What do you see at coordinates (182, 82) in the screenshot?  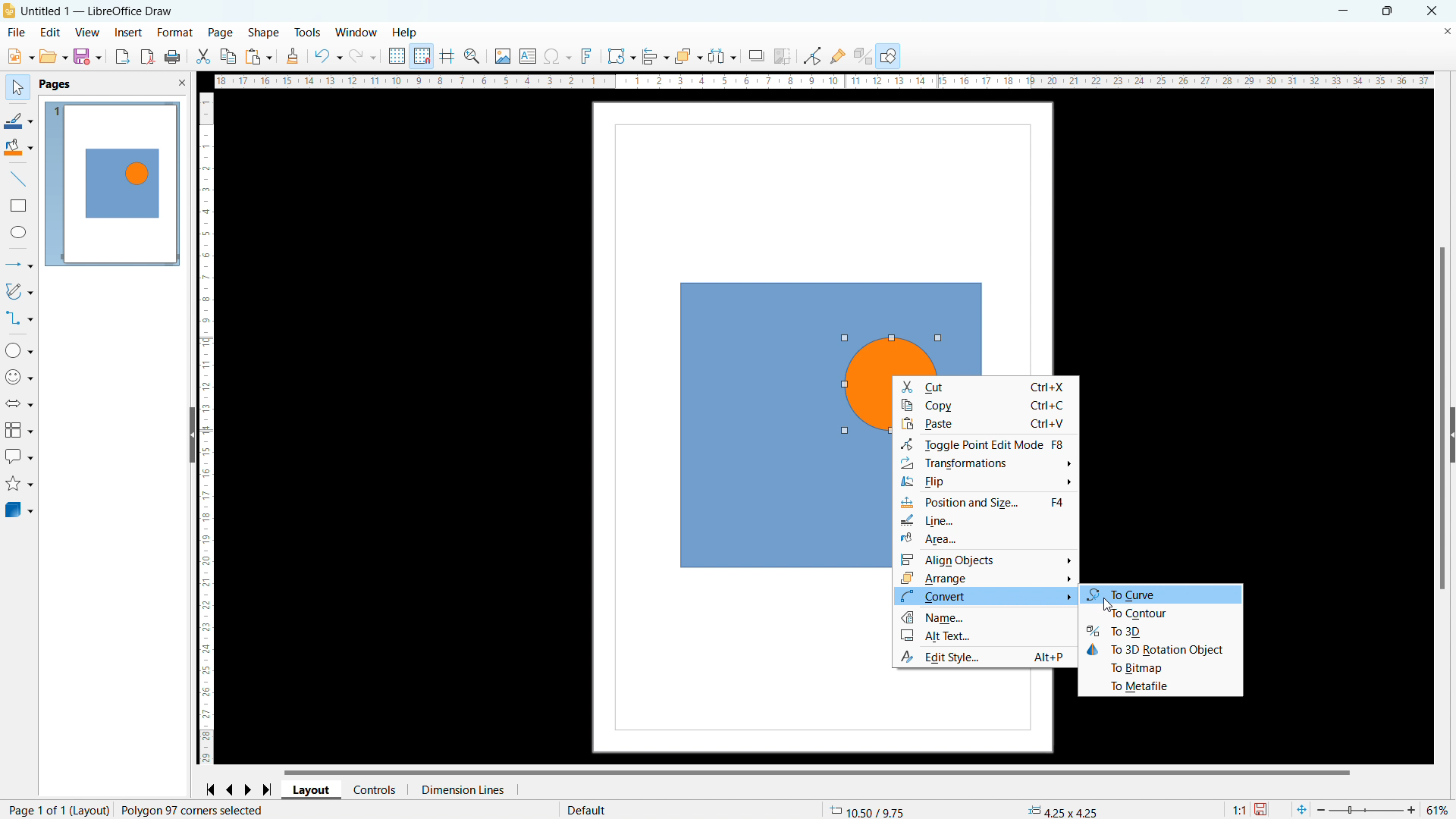 I see `close pane` at bounding box center [182, 82].